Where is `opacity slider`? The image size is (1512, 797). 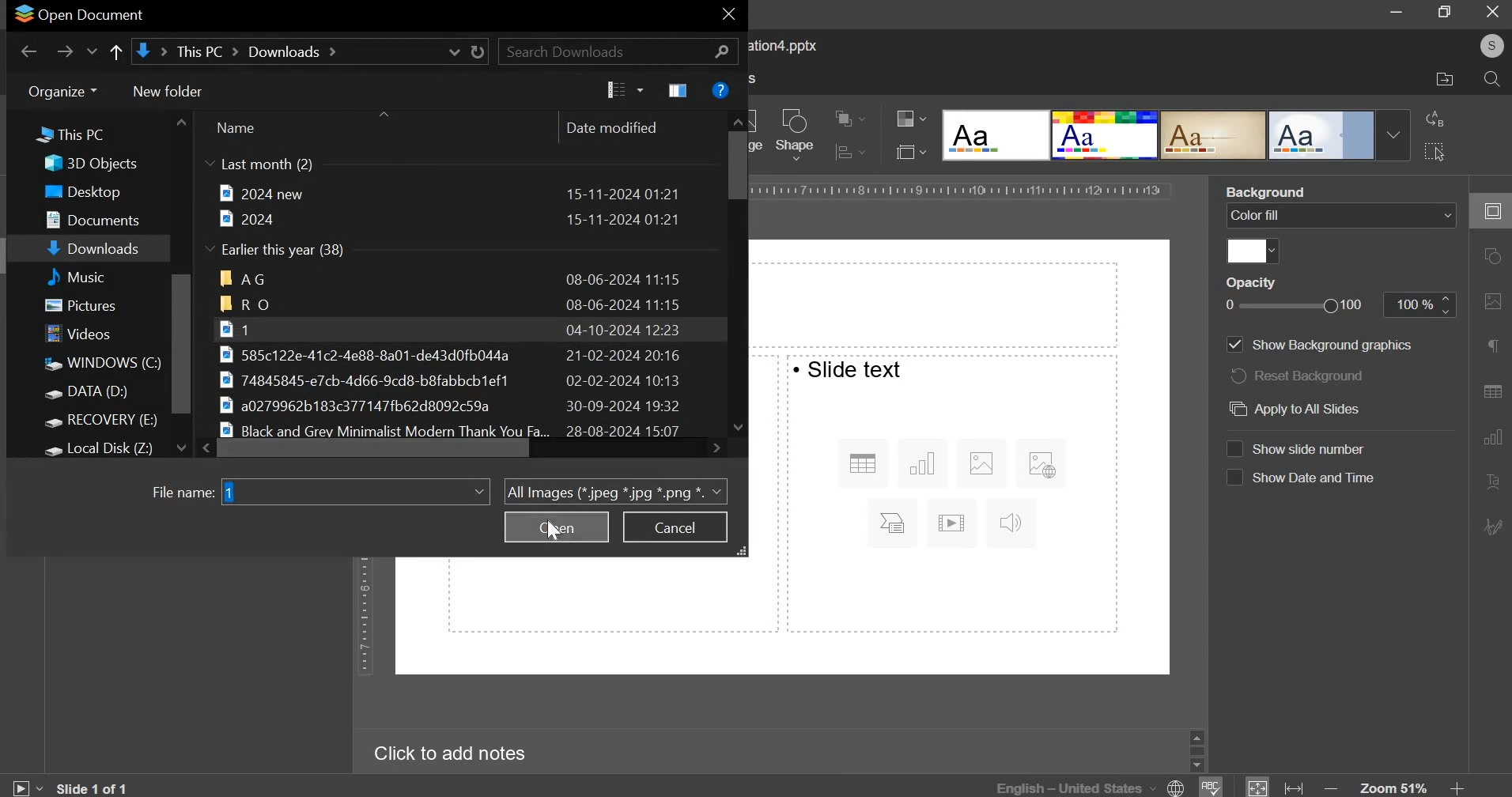 opacity slider is located at coordinates (1297, 306).